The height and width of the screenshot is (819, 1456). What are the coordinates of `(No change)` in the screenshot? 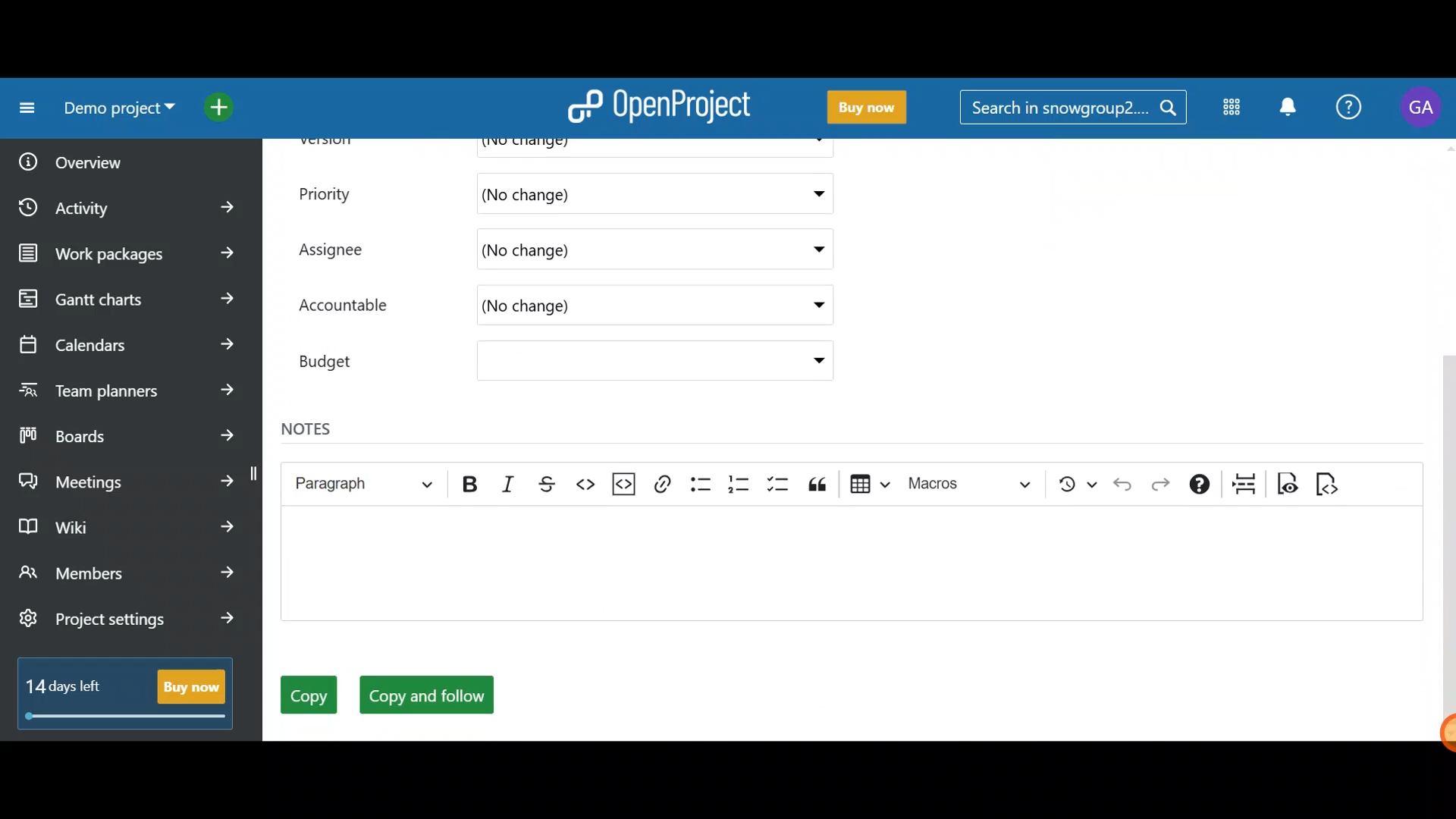 It's located at (620, 252).